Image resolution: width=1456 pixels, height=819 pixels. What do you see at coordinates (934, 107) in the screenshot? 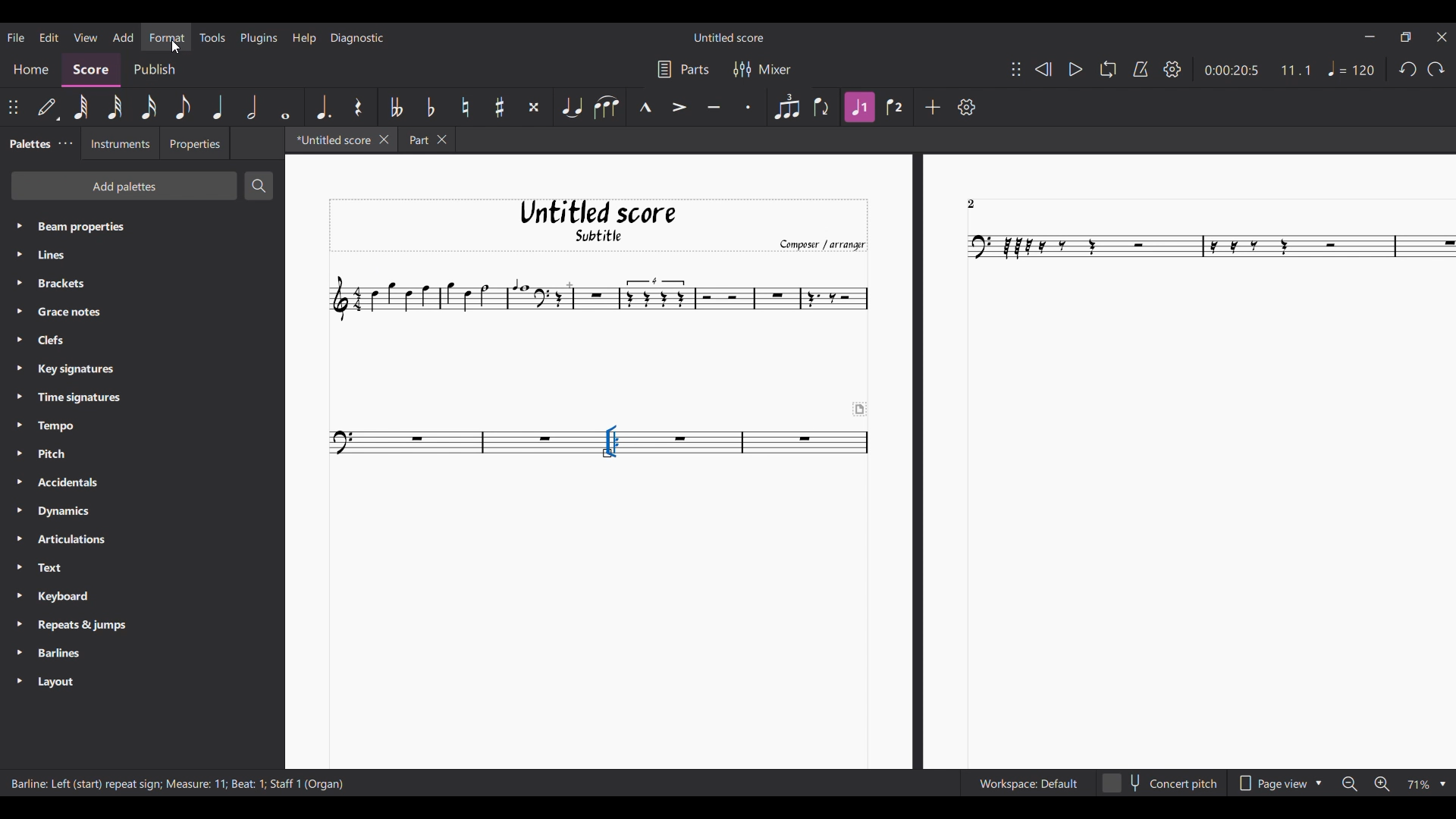
I see `Add` at bounding box center [934, 107].